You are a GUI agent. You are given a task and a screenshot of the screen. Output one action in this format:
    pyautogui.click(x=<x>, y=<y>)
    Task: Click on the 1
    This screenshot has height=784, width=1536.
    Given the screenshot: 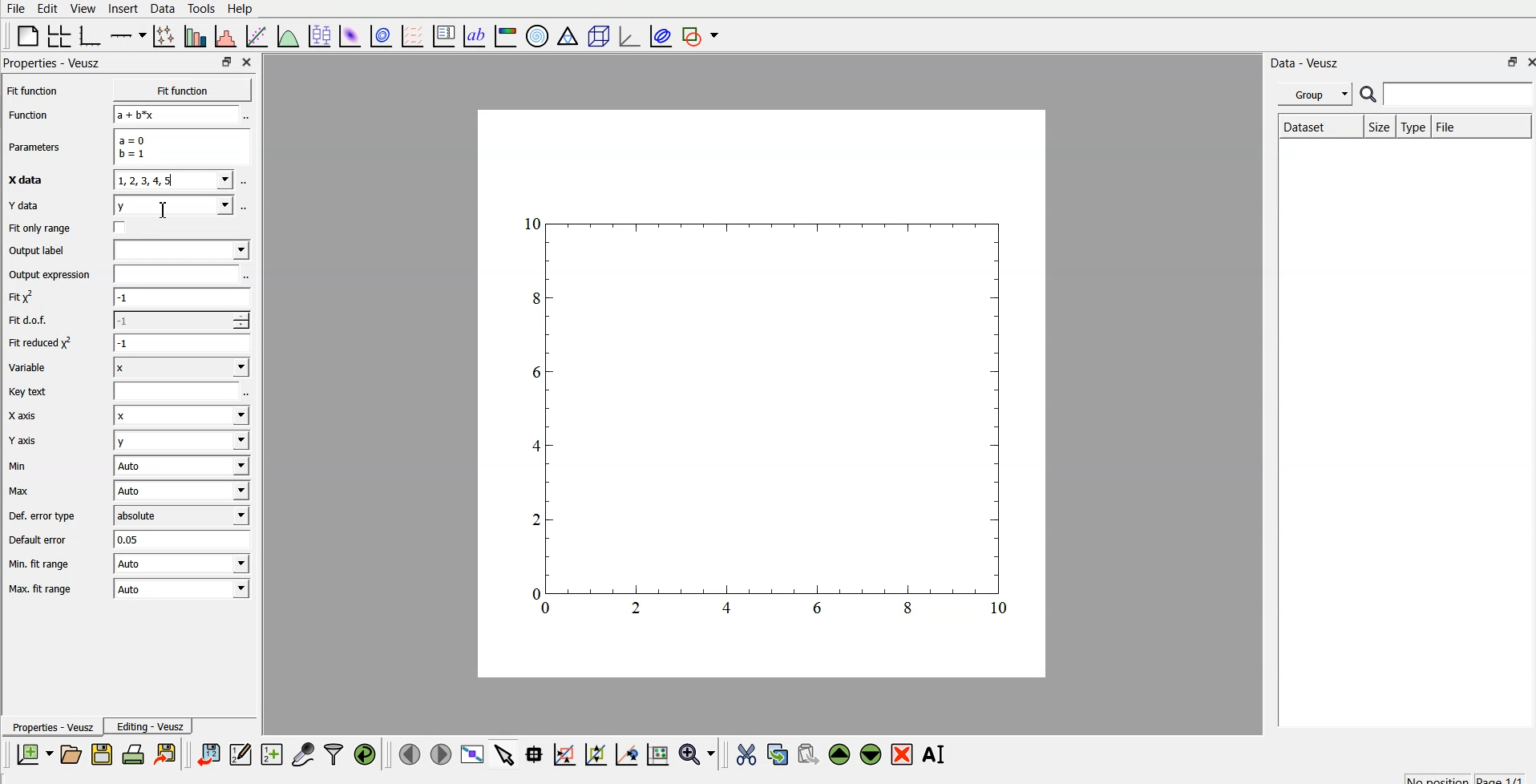 What is the action you would take?
    pyautogui.click(x=180, y=345)
    